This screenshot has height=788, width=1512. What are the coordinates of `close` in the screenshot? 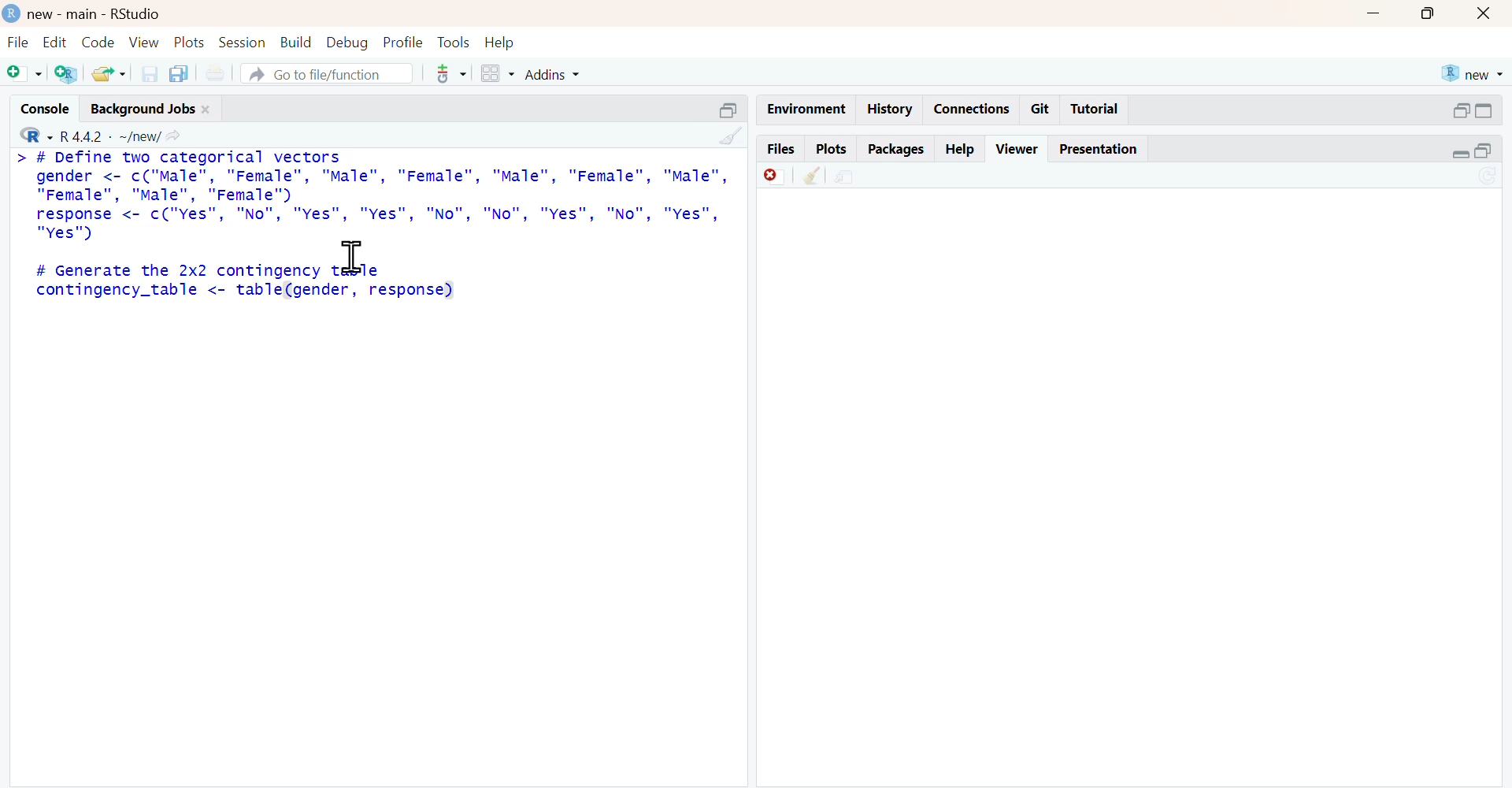 It's located at (207, 110).